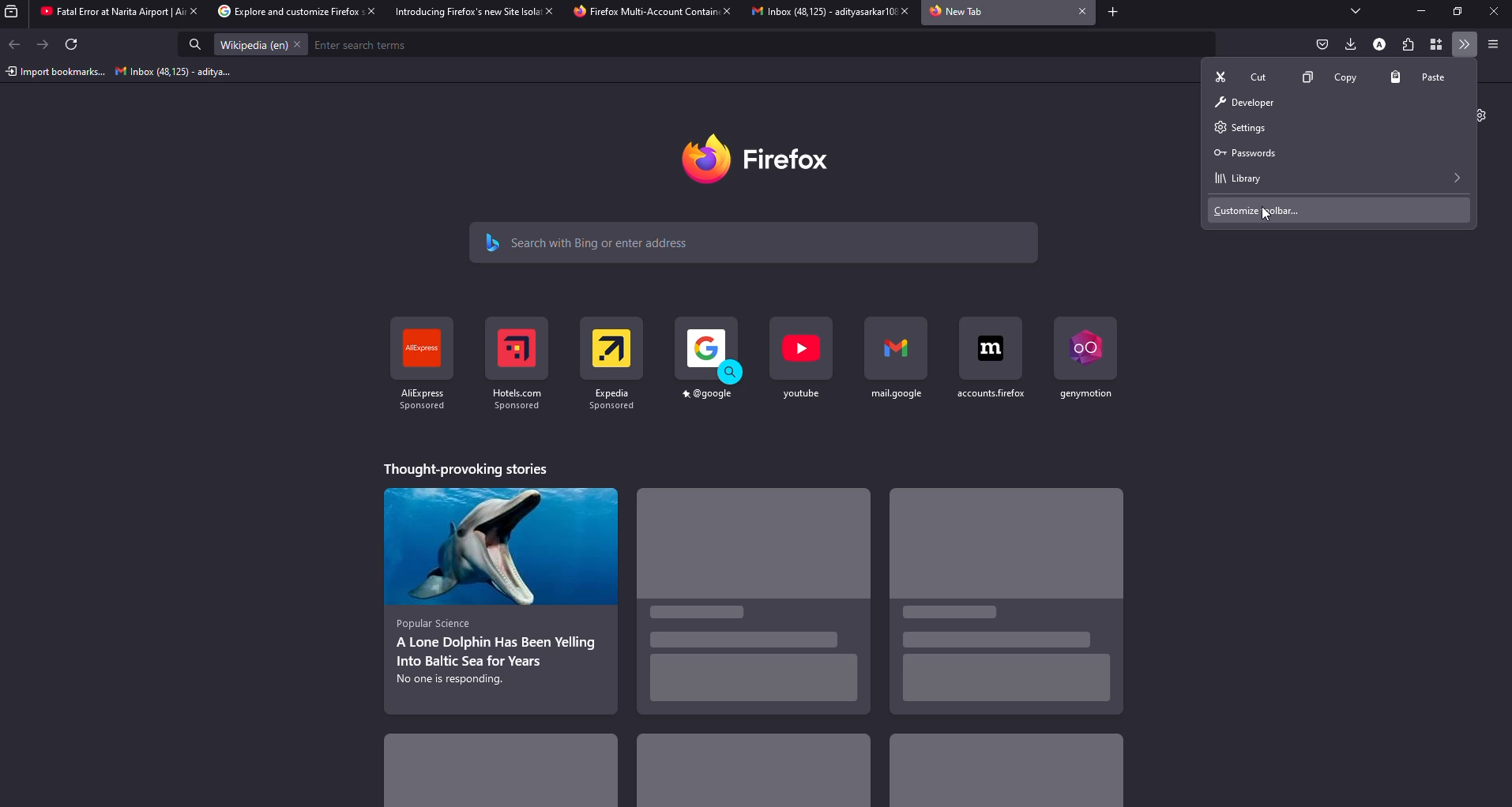 Image resolution: width=1512 pixels, height=807 pixels. Describe the element at coordinates (1322, 43) in the screenshot. I see `save to packet` at that location.